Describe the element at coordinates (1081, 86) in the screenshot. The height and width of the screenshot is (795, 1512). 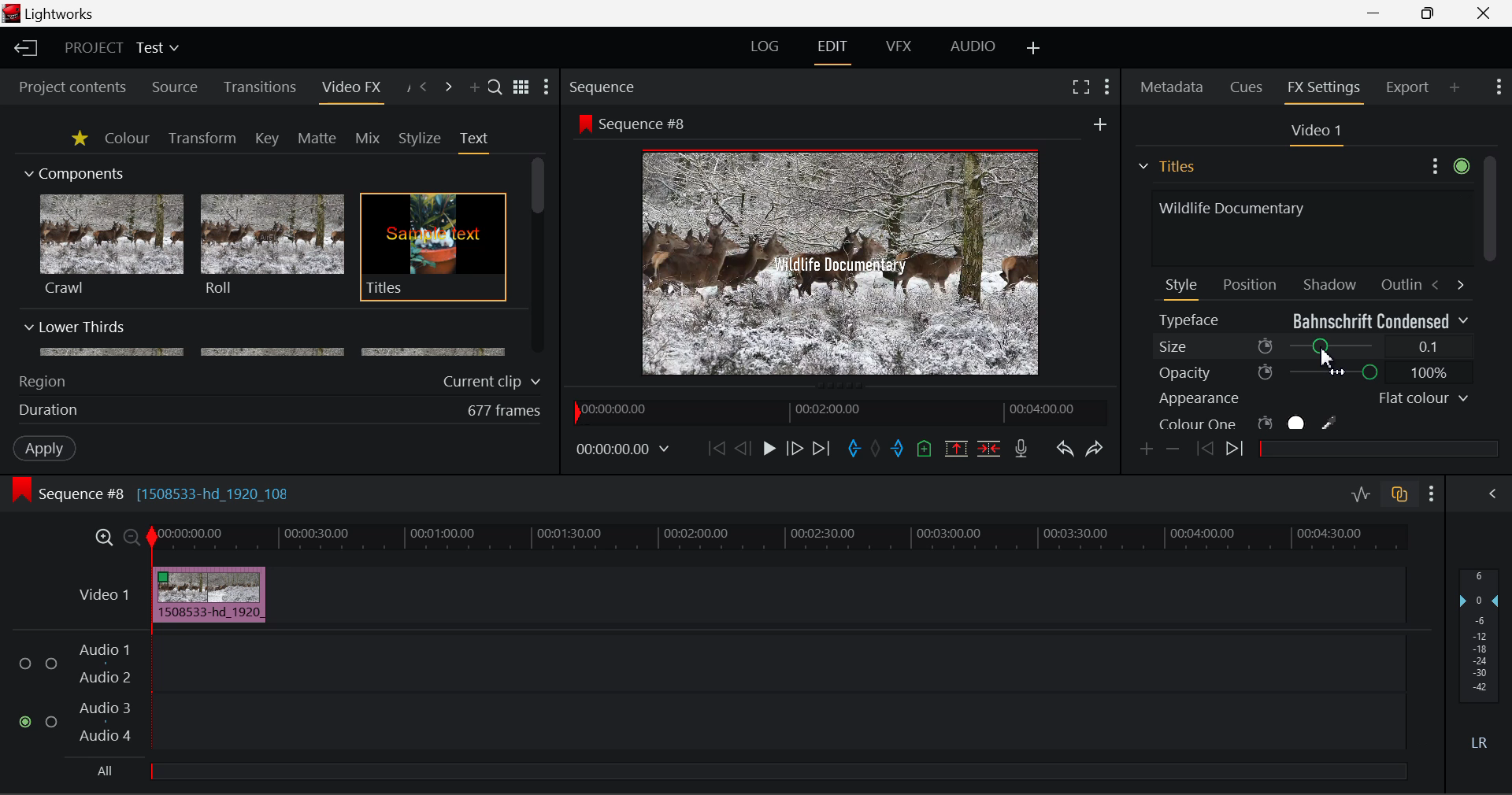
I see `Full Screen` at that location.